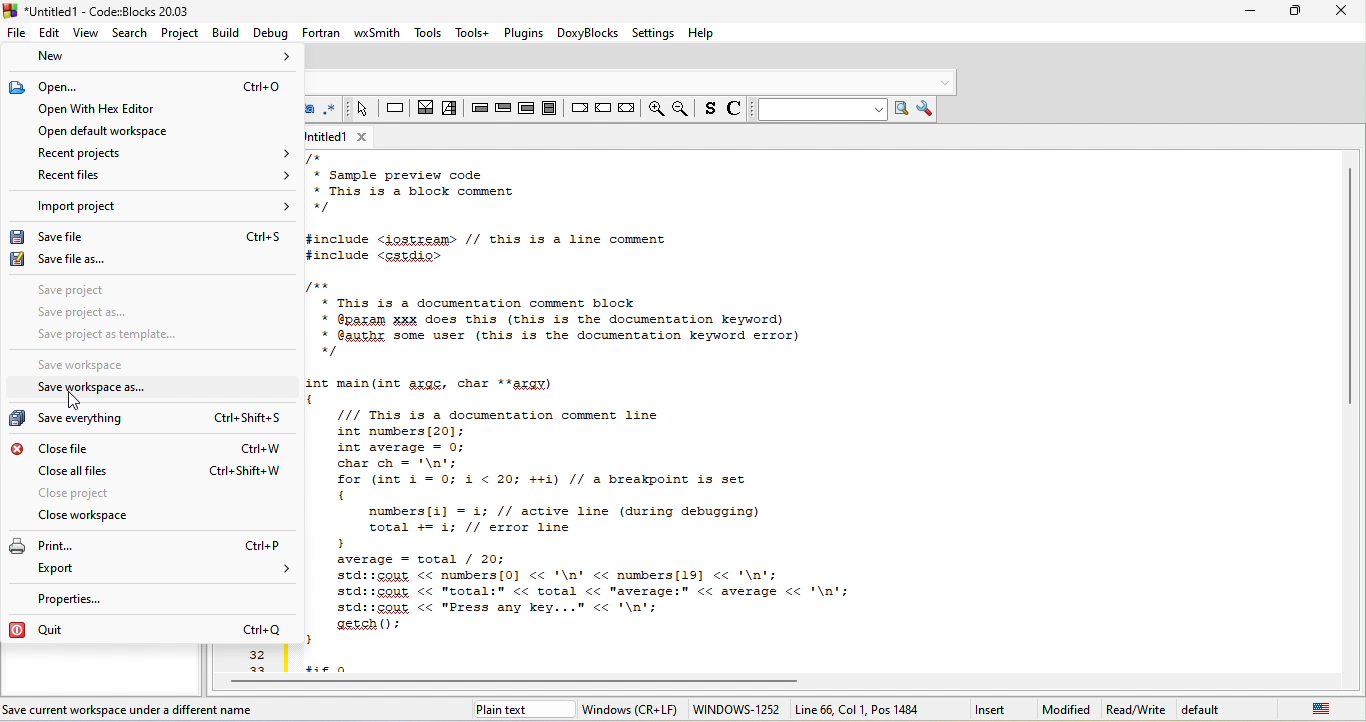 The width and height of the screenshot is (1366, 722). Describe the element at coordinates (158, 472) in the screenshot. I see `close all files` at that location.